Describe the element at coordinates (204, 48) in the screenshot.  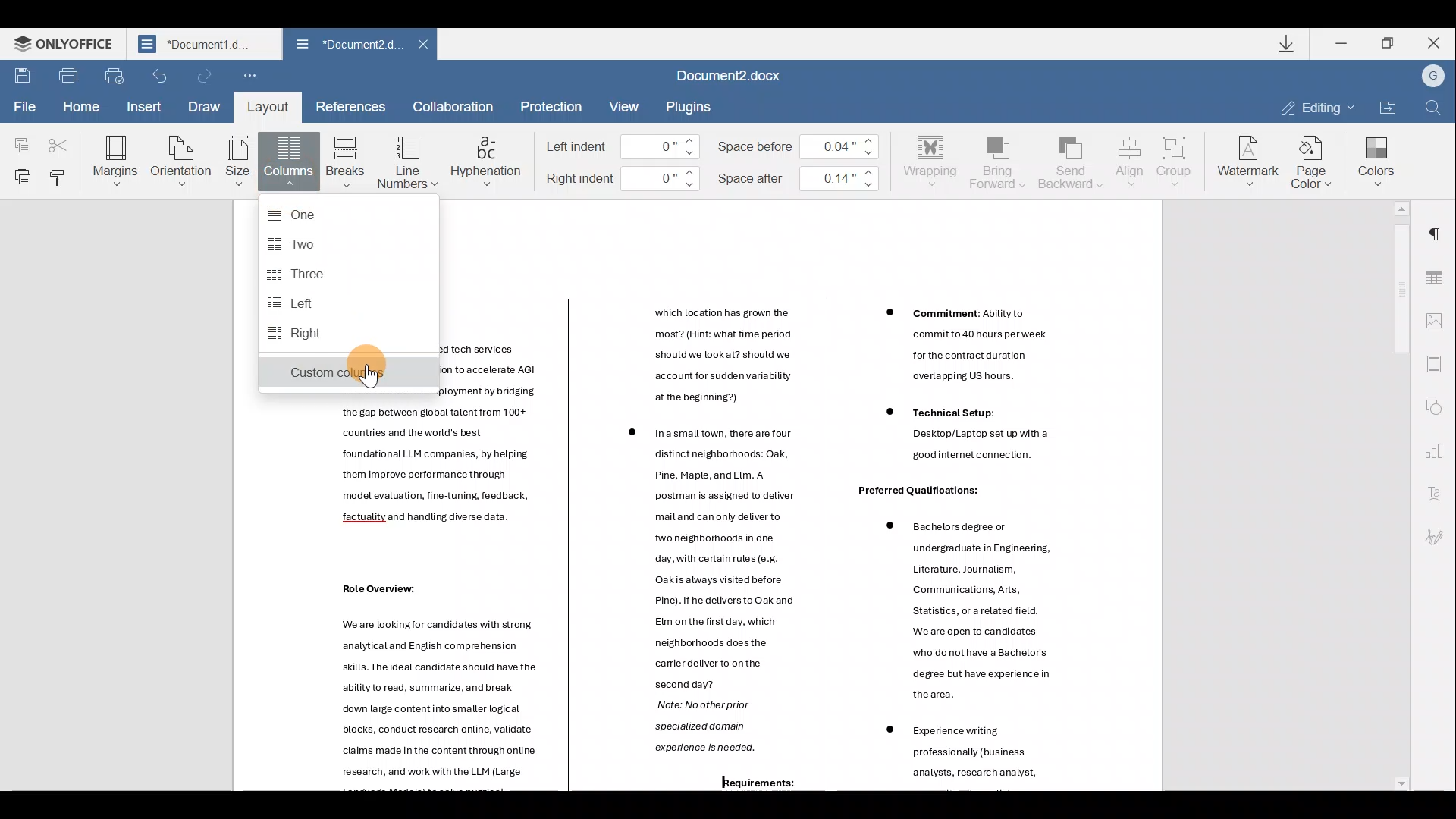
I see `Document2.d` at that location.